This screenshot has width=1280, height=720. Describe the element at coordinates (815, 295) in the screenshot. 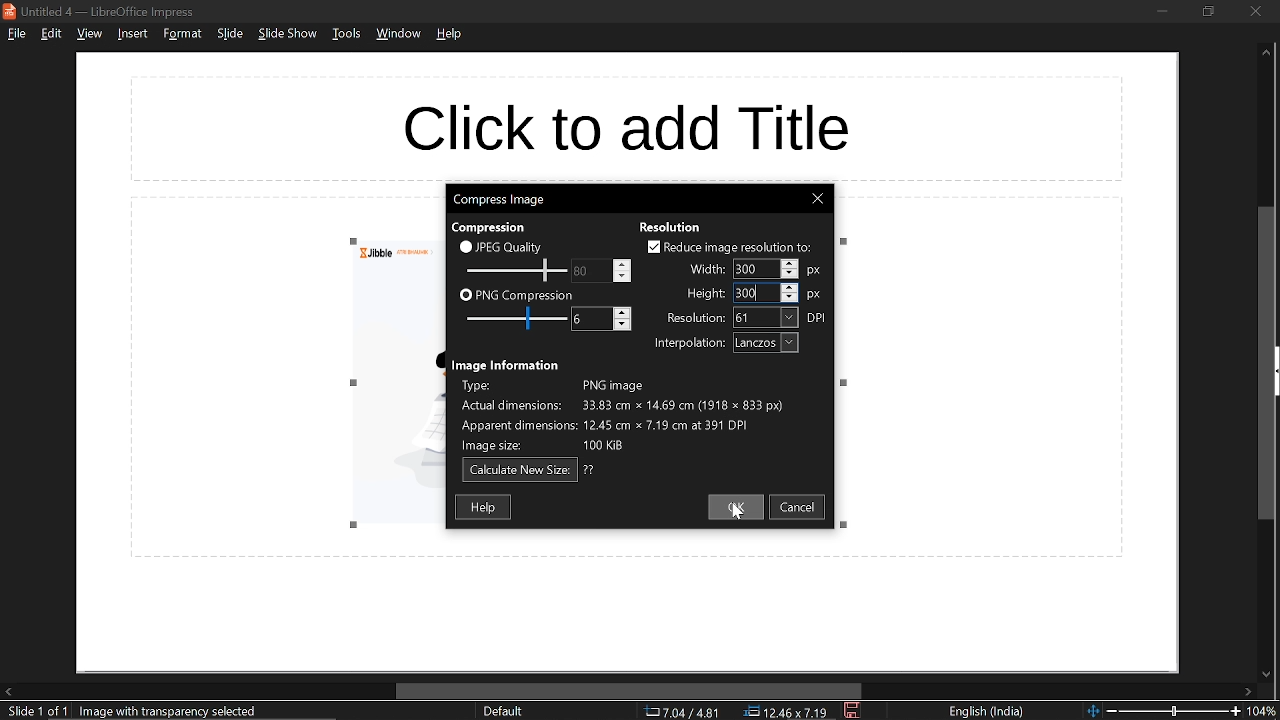

I see `px` at that location.